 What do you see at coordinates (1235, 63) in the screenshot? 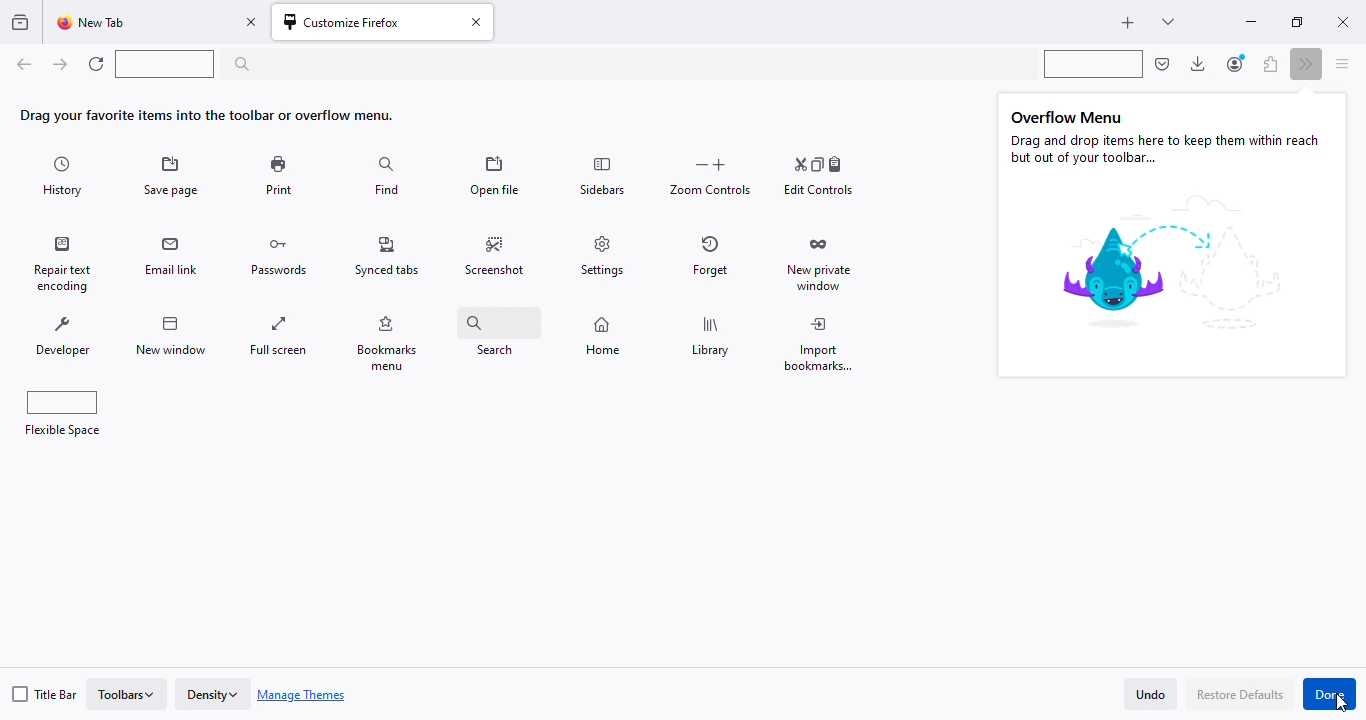
I see `account` at bounding box center [1235, 63].